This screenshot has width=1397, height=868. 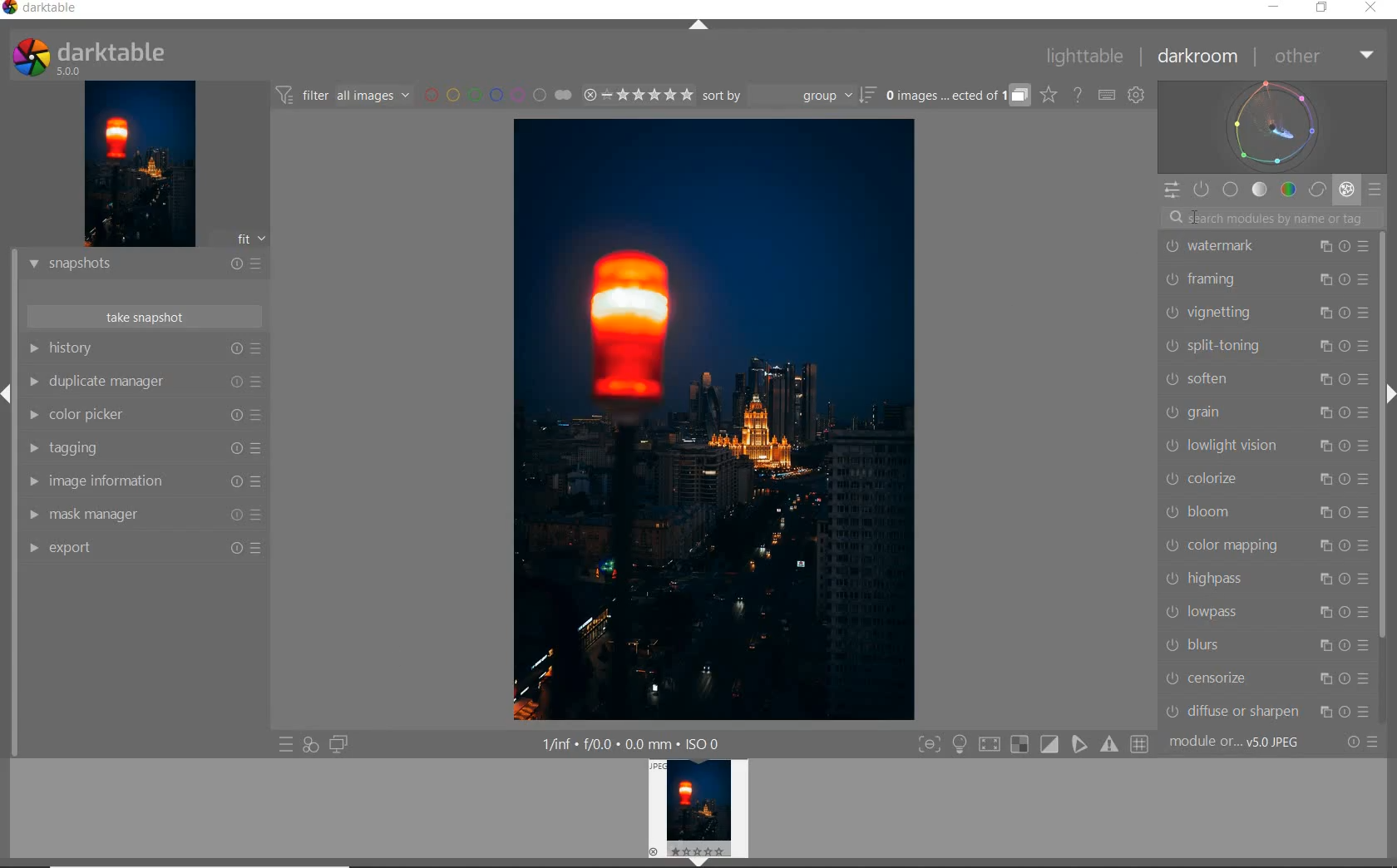 What do you see at coordinates (1365, 512) in the screenshot?
I see `Preset and reset` at bounding box center [1365, 512].